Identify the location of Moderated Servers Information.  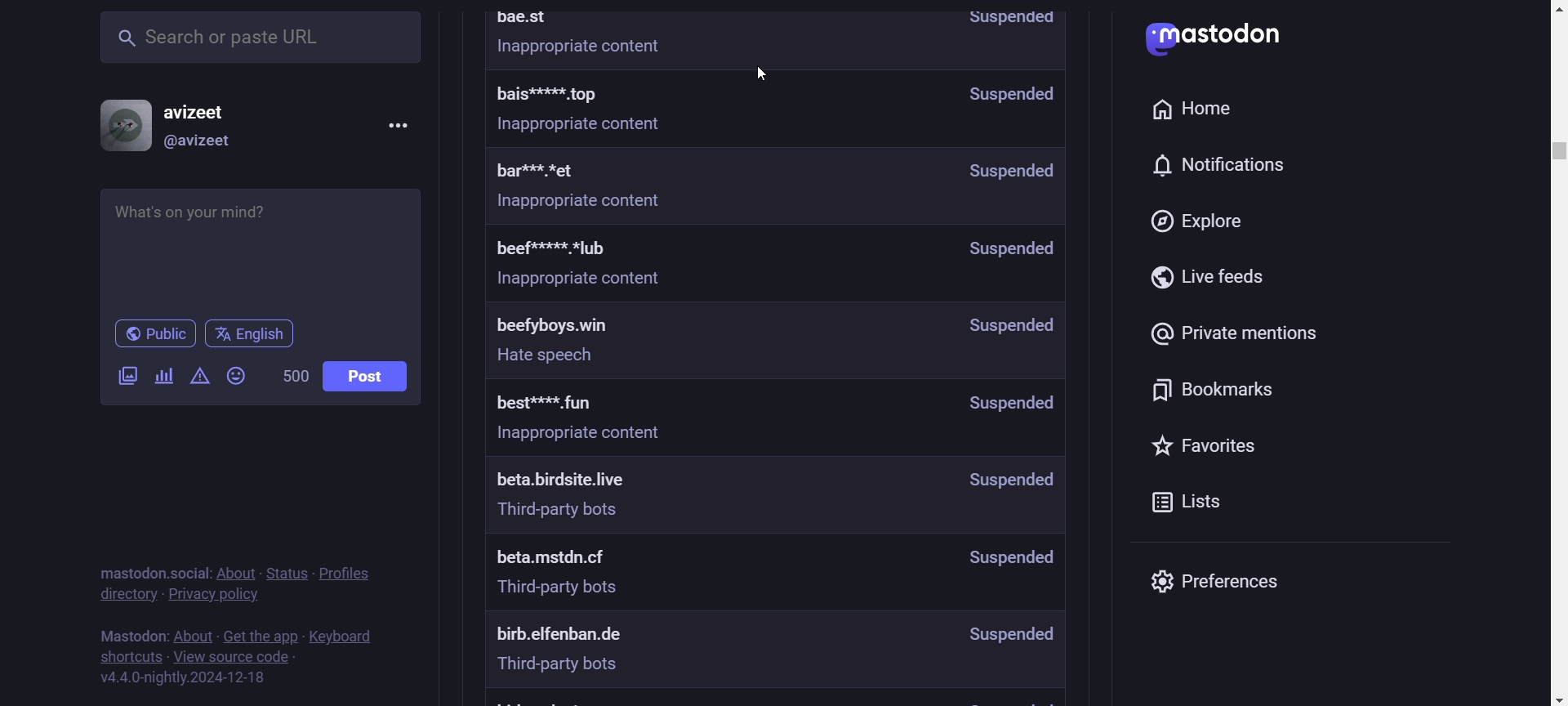
(782, 38).